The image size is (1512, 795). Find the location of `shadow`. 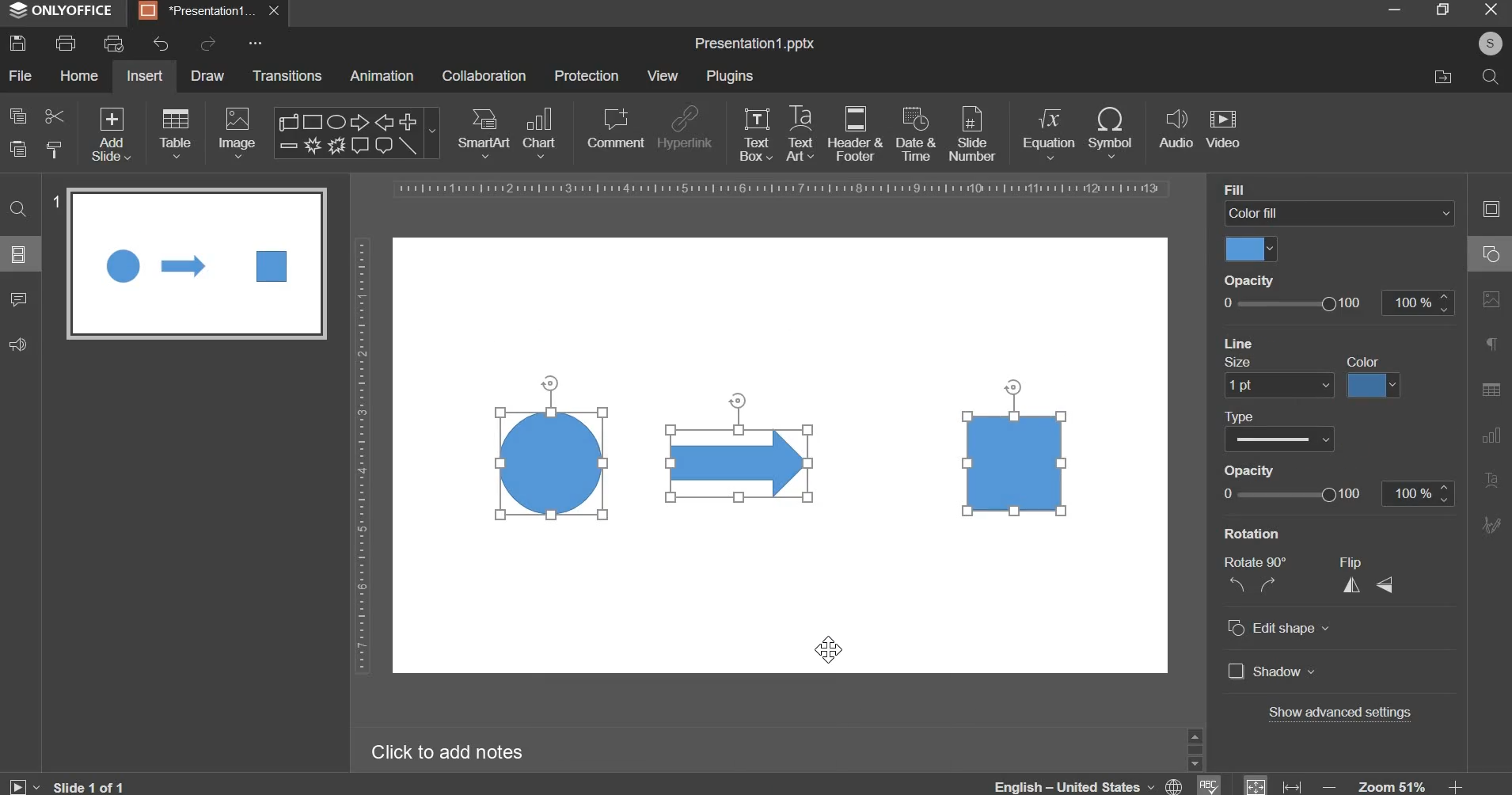

shadow is located at coordinates (1271, 671).